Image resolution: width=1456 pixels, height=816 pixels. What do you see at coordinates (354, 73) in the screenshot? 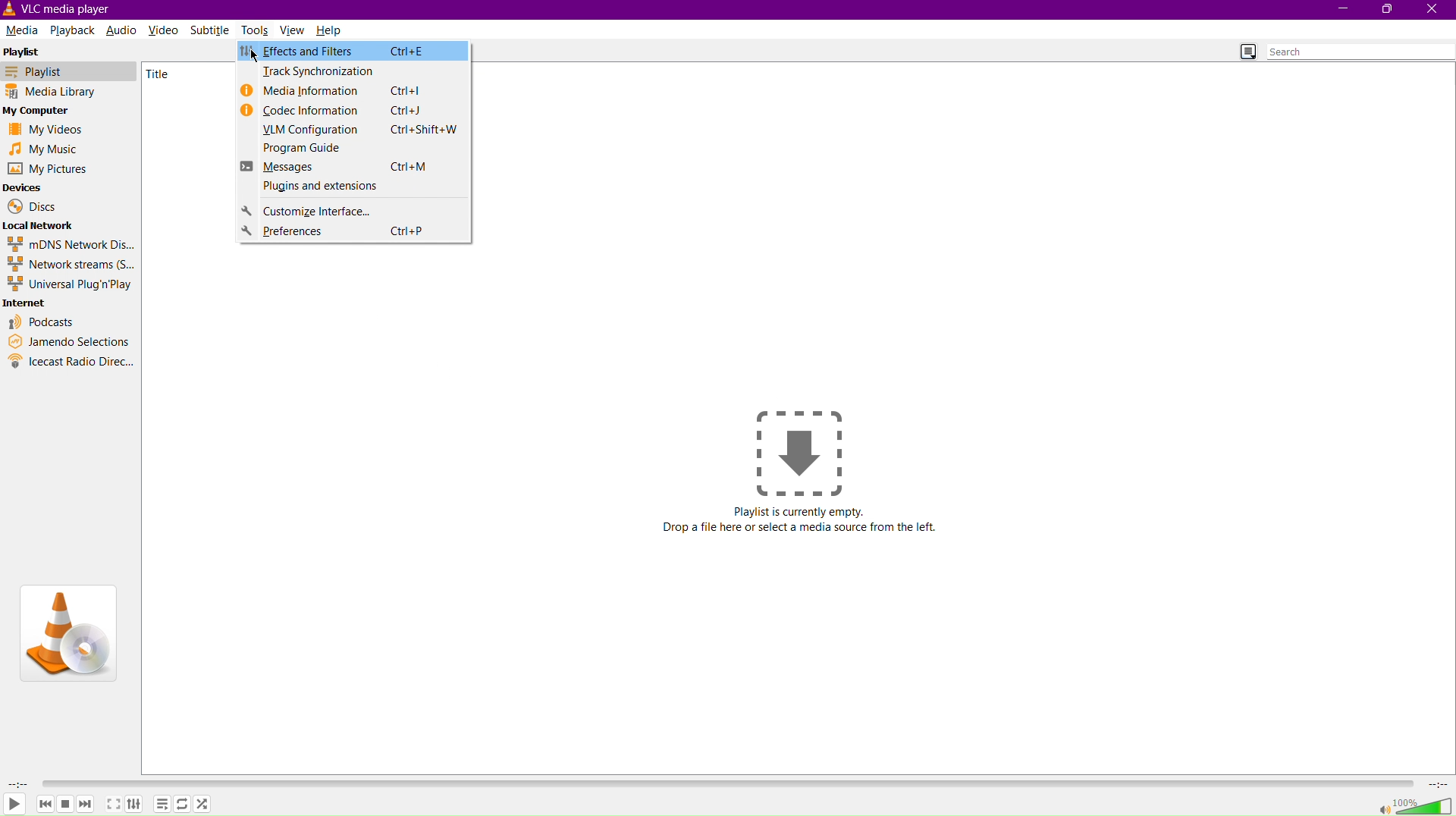
I see `Track Synchronization` at bounding box center [354, 73].